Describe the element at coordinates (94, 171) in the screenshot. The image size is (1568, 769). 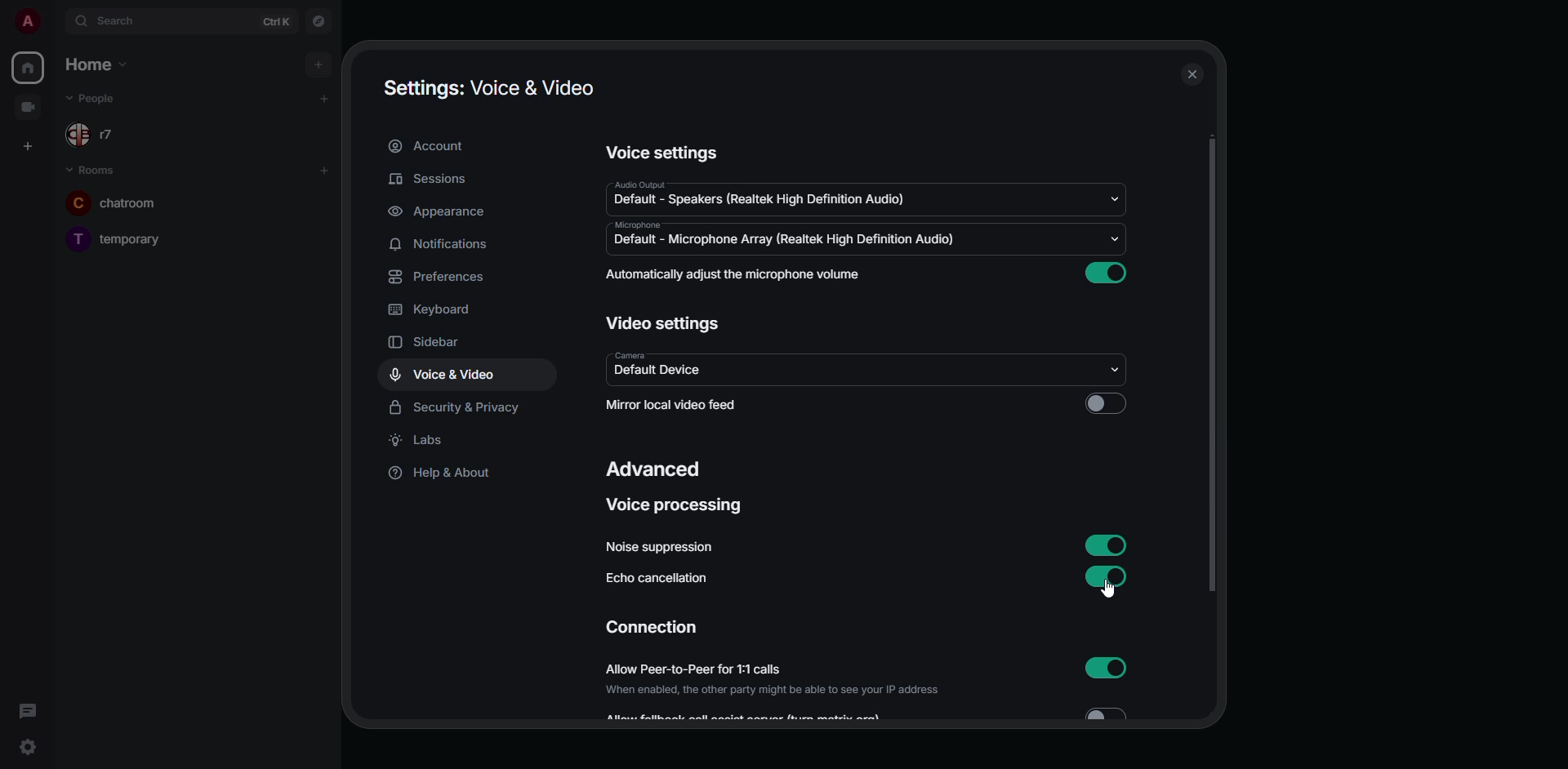
I see `room` at that location.